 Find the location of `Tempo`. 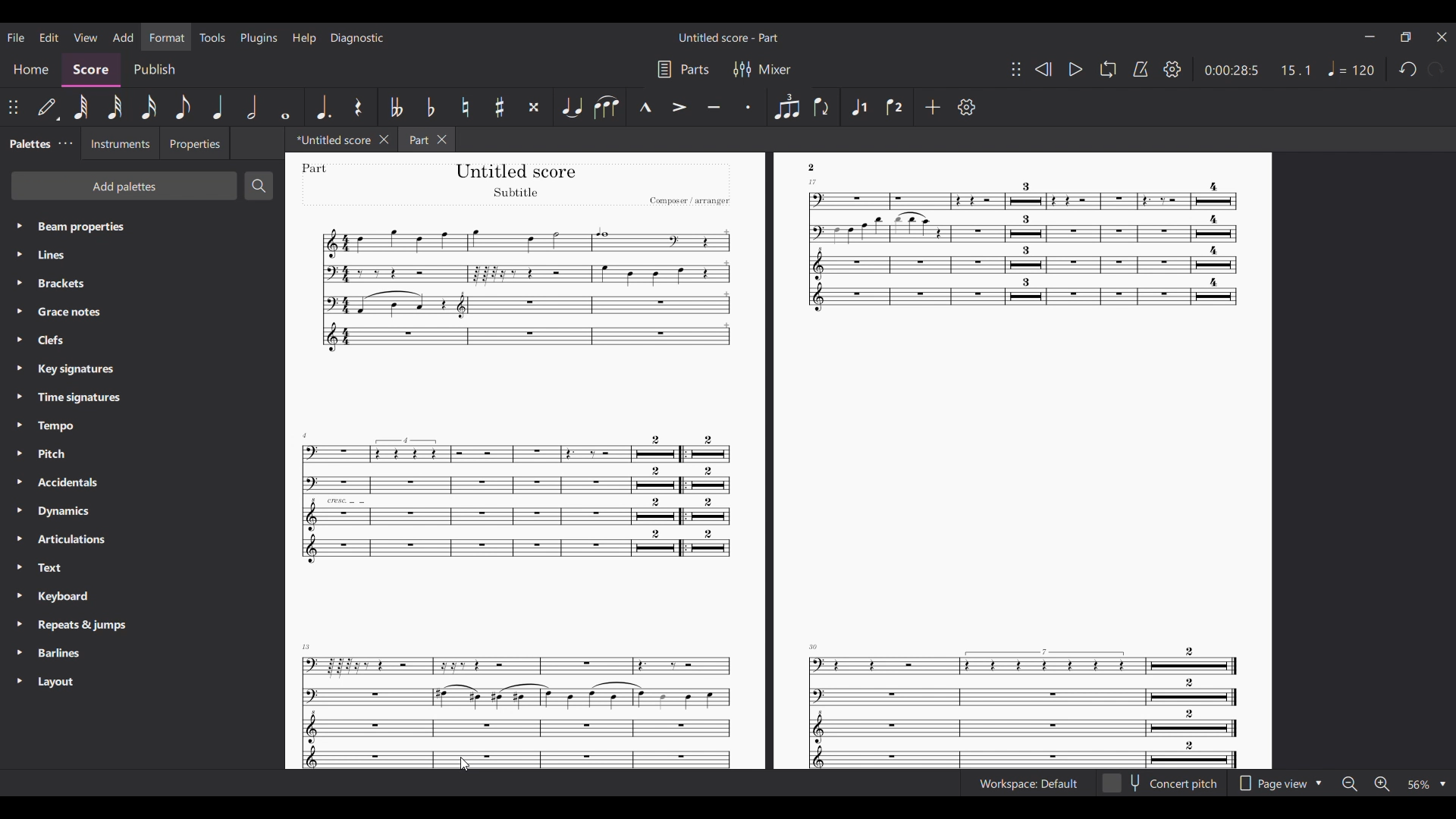

Tempo is located at coordinates (71, 427).